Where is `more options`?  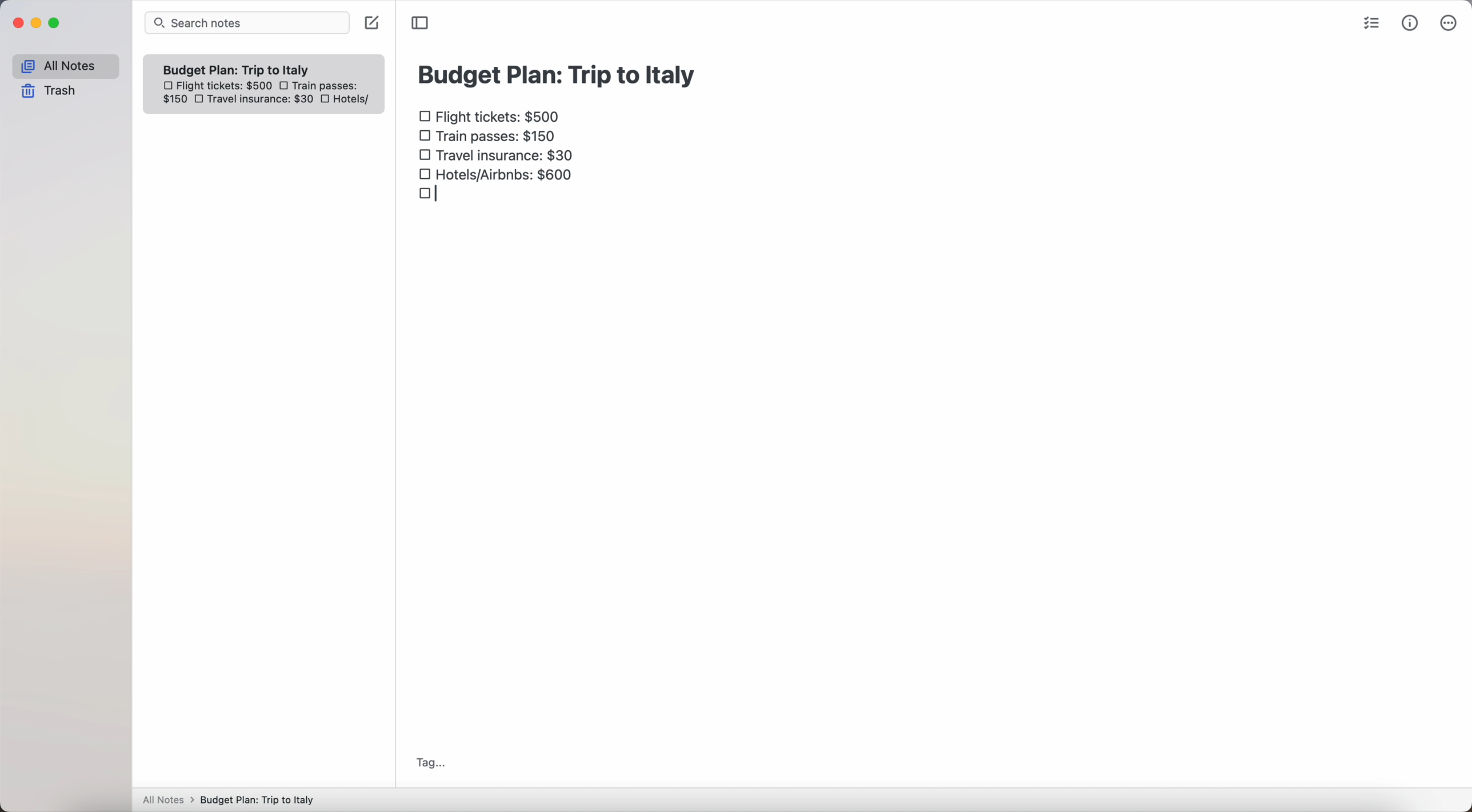 more options is located at coordinates (1449, 23).